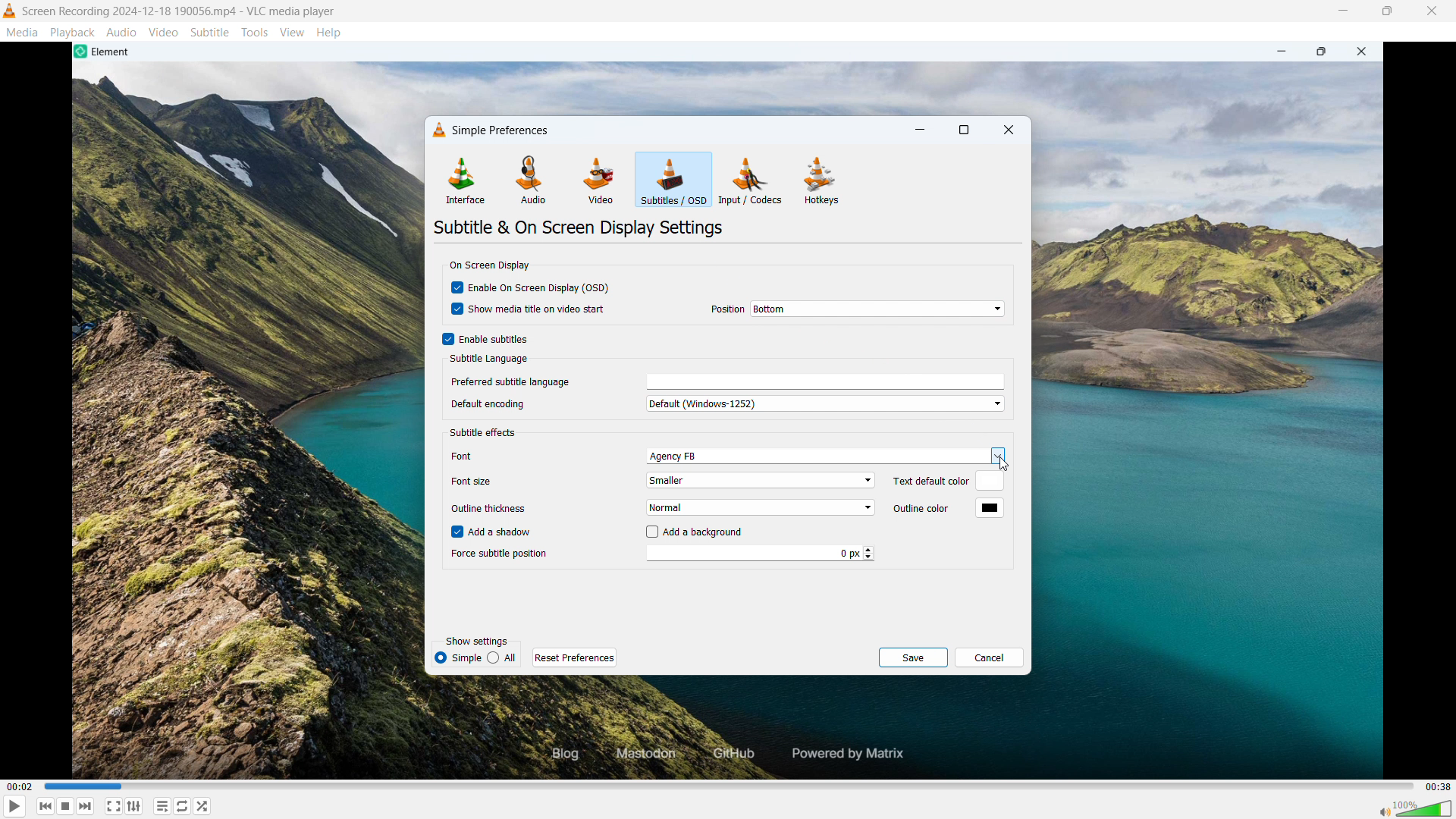 This screenshot has height=819, width=1456. Describe the element at coordinates (122, 31) in the screenshot. I see `audio` at that location.